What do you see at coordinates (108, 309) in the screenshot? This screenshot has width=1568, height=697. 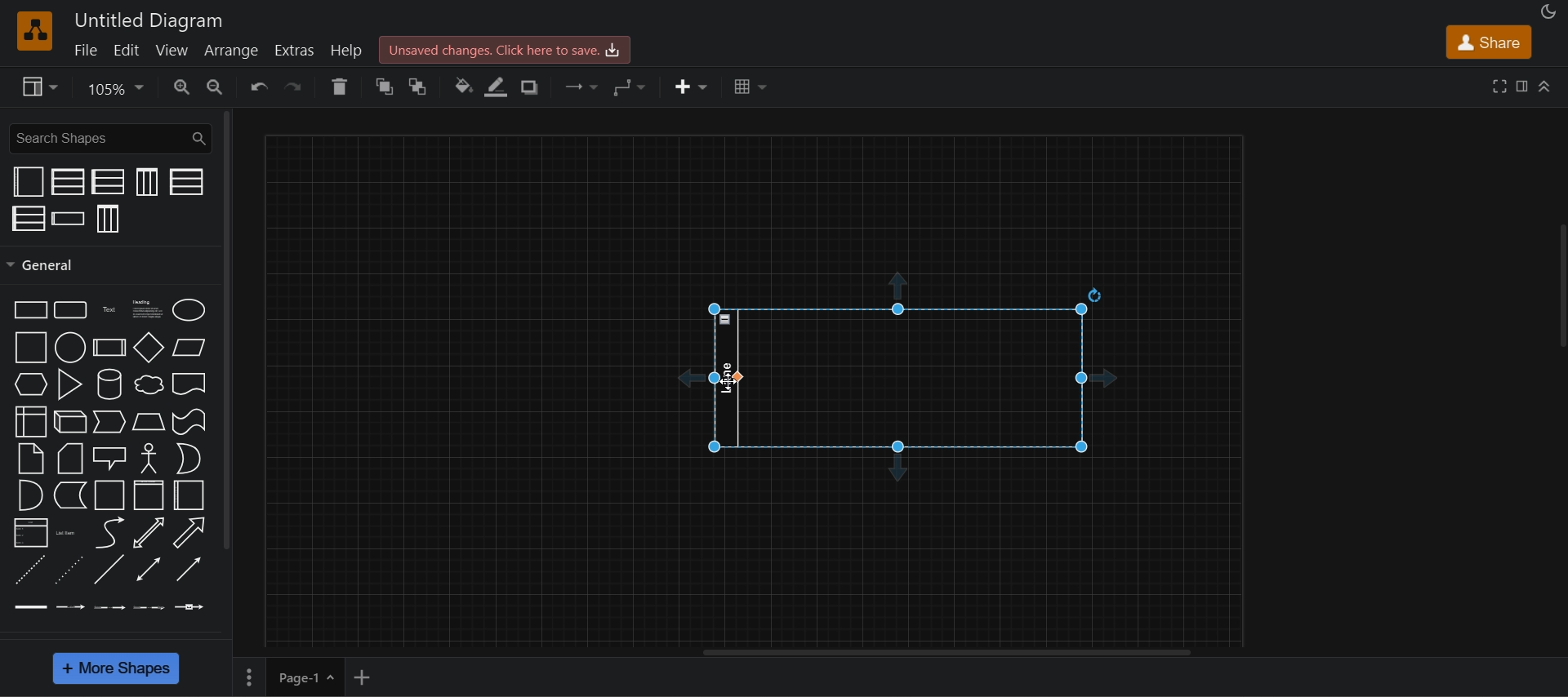 I see `Text` at bounding box center [108, 309].